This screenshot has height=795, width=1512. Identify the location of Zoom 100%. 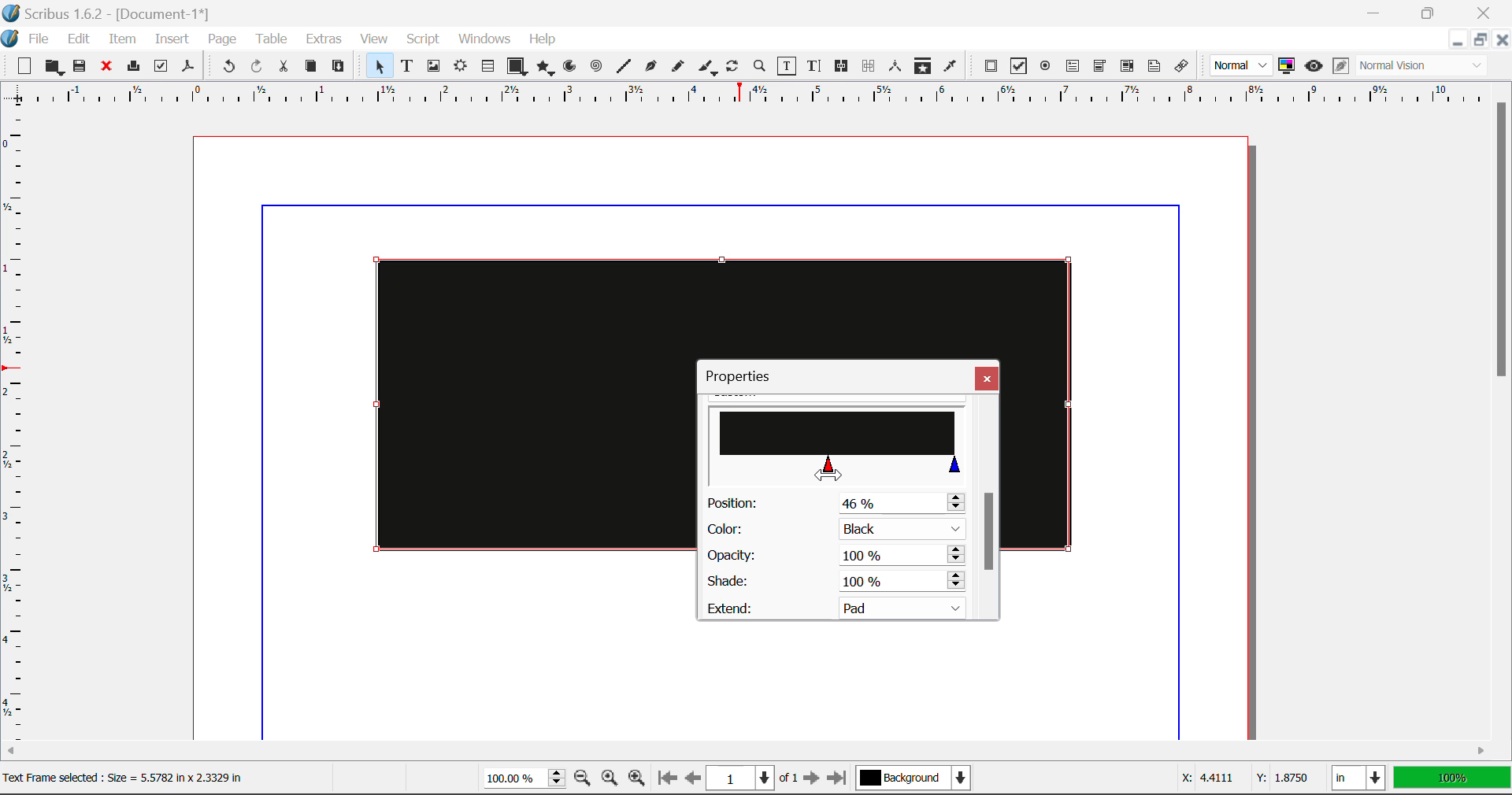
(524, 780).